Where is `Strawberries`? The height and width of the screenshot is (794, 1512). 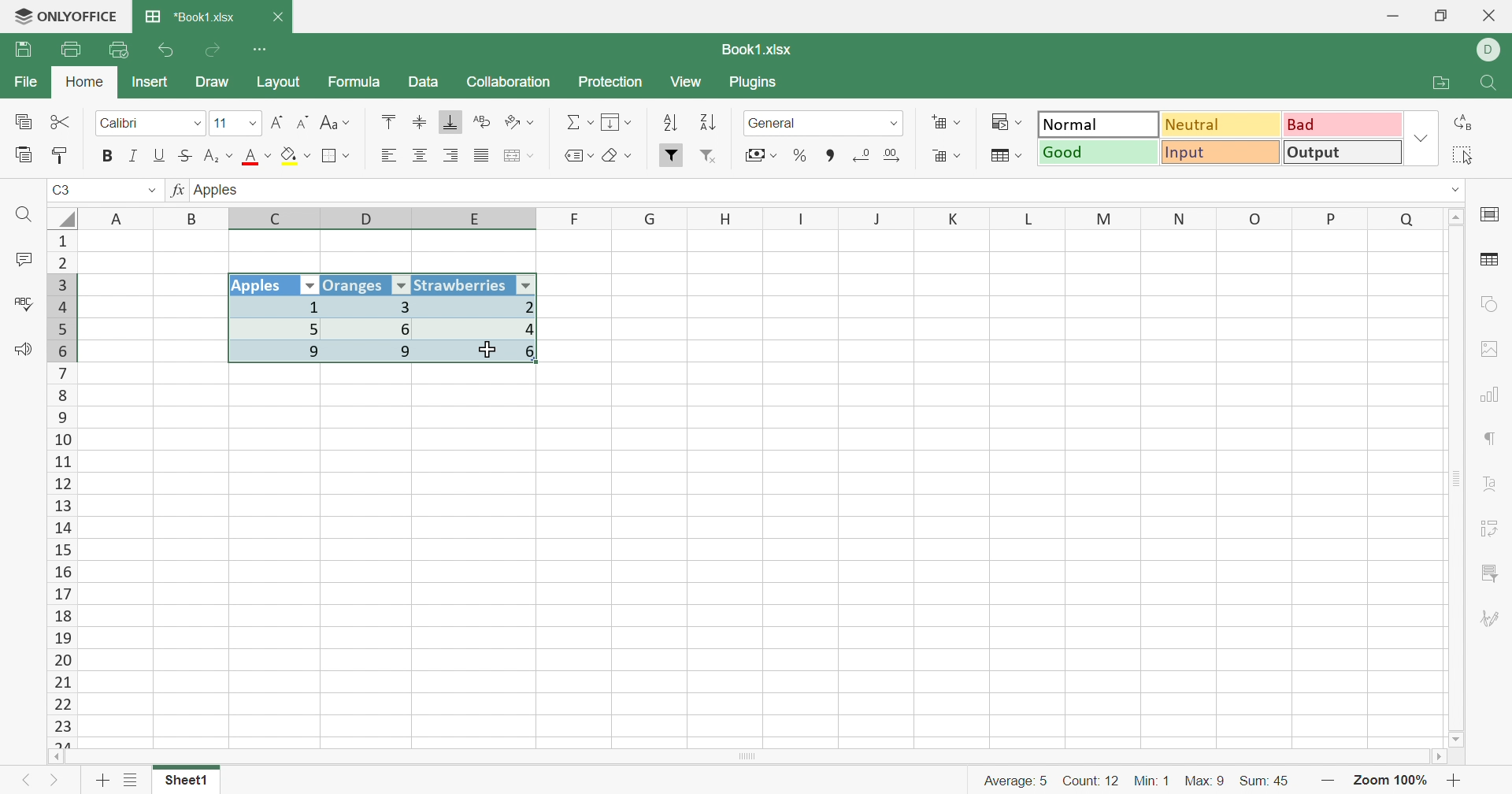
Strawberries is located at coordinates (462, 284).